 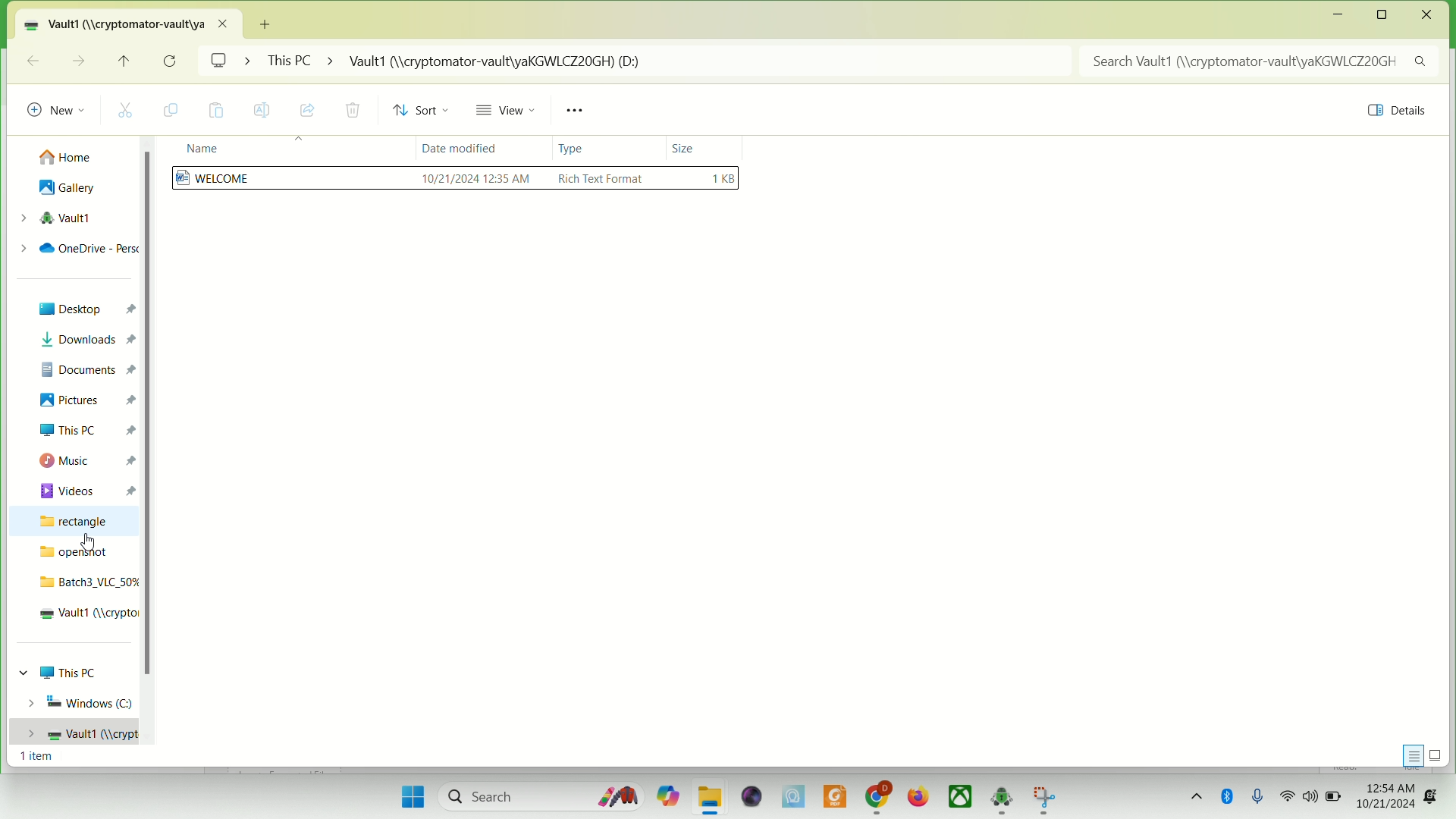 What do you see at coordinates (877, 795) in the screenshot?
I see `chrome` at bounding box center [877, 795].